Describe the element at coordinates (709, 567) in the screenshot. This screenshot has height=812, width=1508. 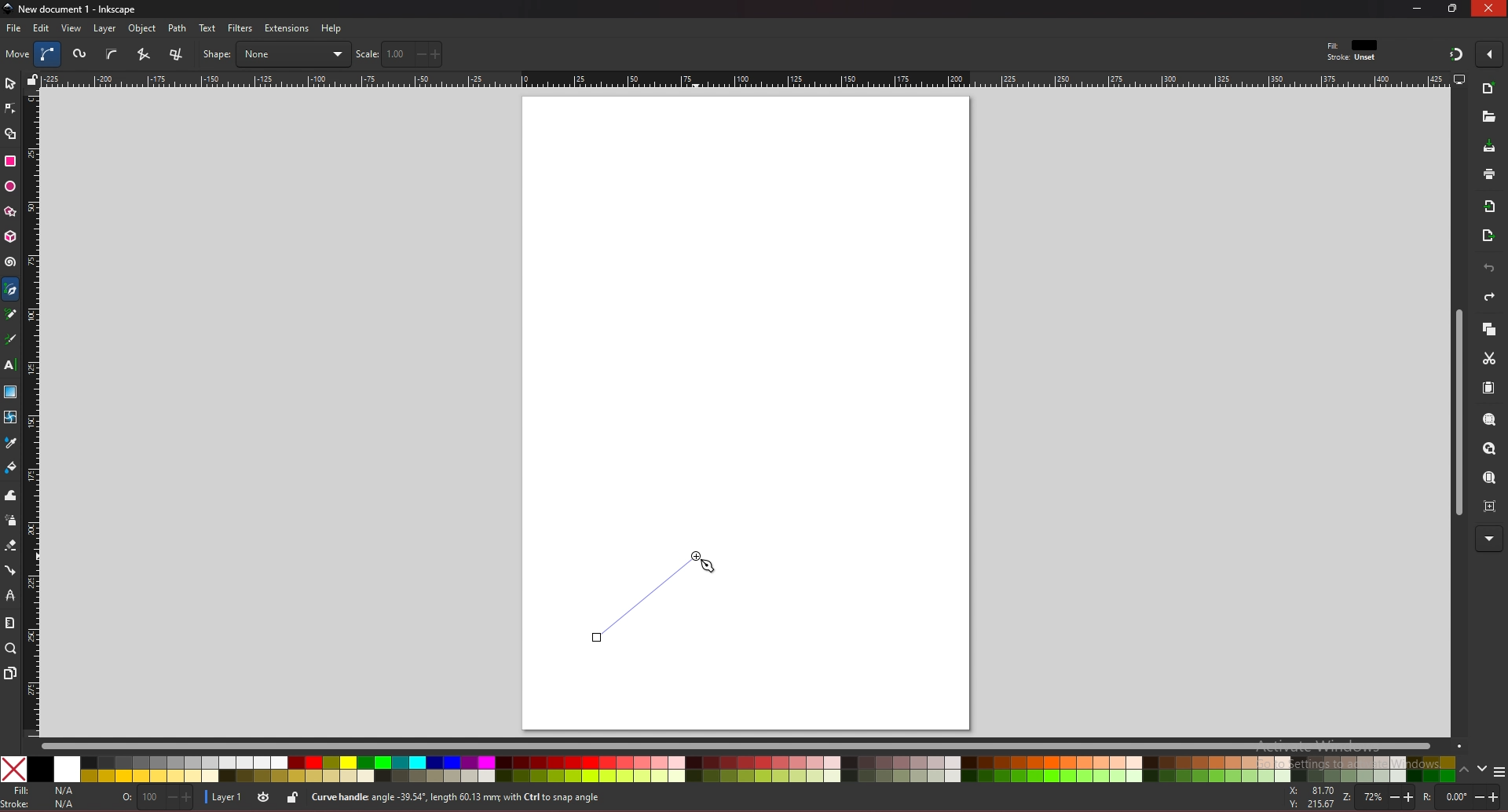
I see `cursor` at that location.